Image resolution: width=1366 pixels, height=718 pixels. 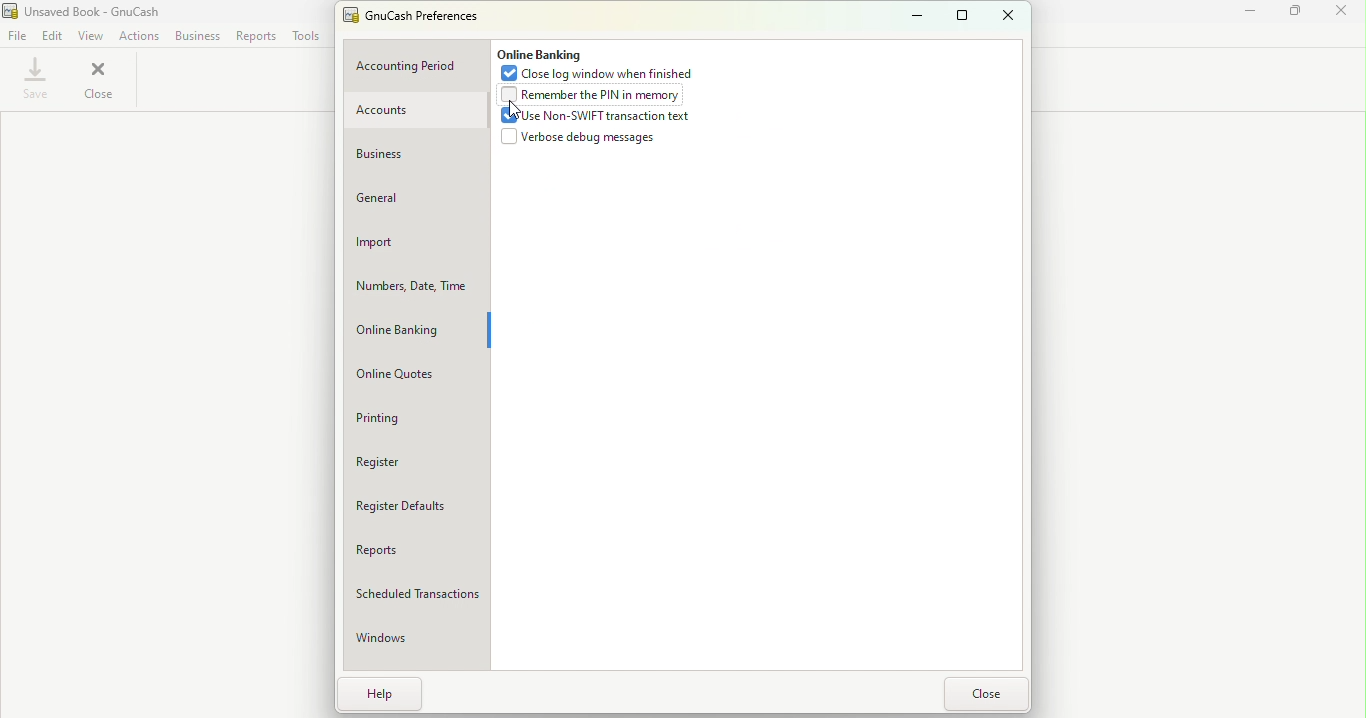 What do you see at coordinates (412, 111) in the screenshot?
I see `Account` at bounding box center [412, 111].